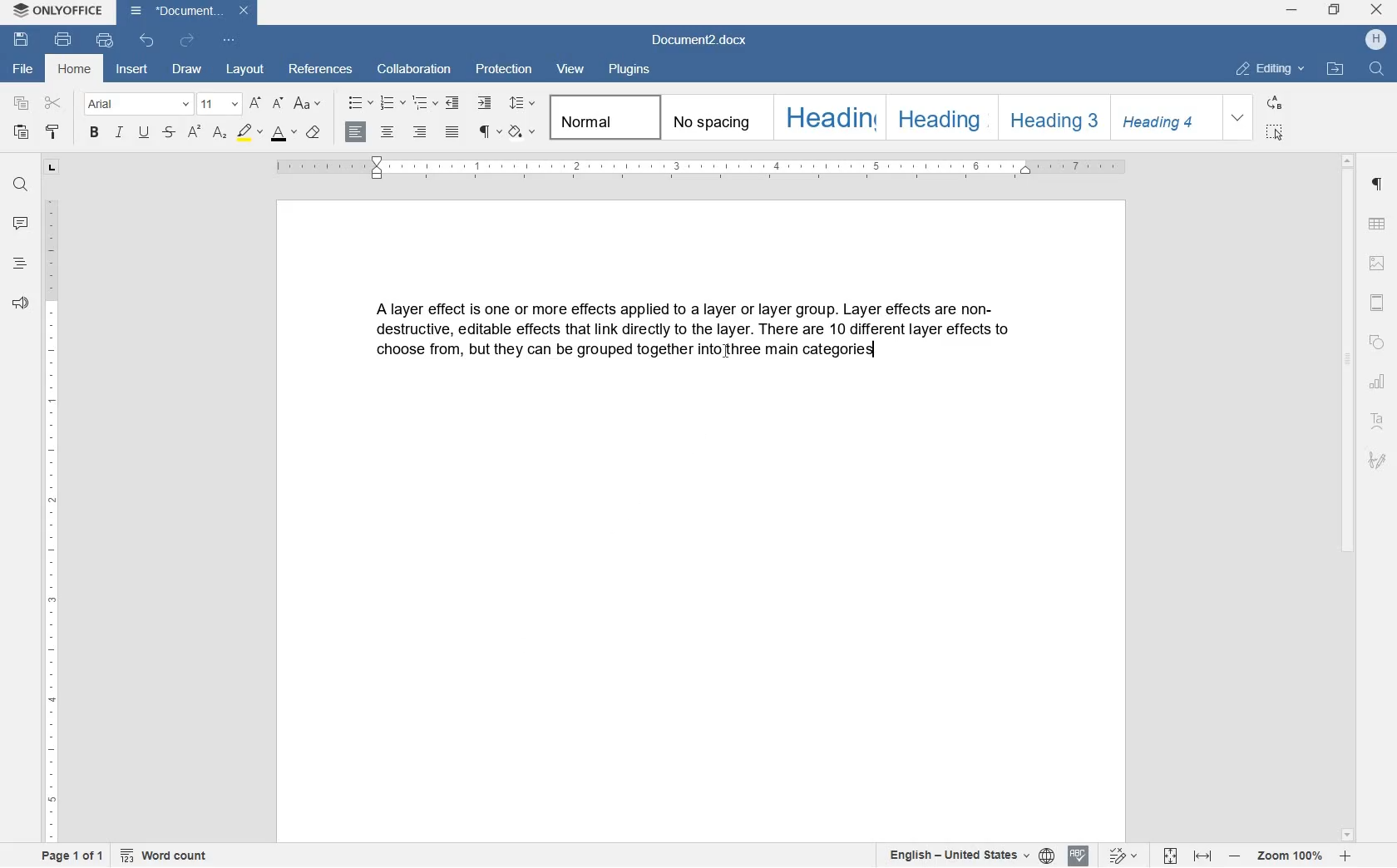 The height and width of the screenshot is (868, 1397). I want to click on bold , so click(95, 132).